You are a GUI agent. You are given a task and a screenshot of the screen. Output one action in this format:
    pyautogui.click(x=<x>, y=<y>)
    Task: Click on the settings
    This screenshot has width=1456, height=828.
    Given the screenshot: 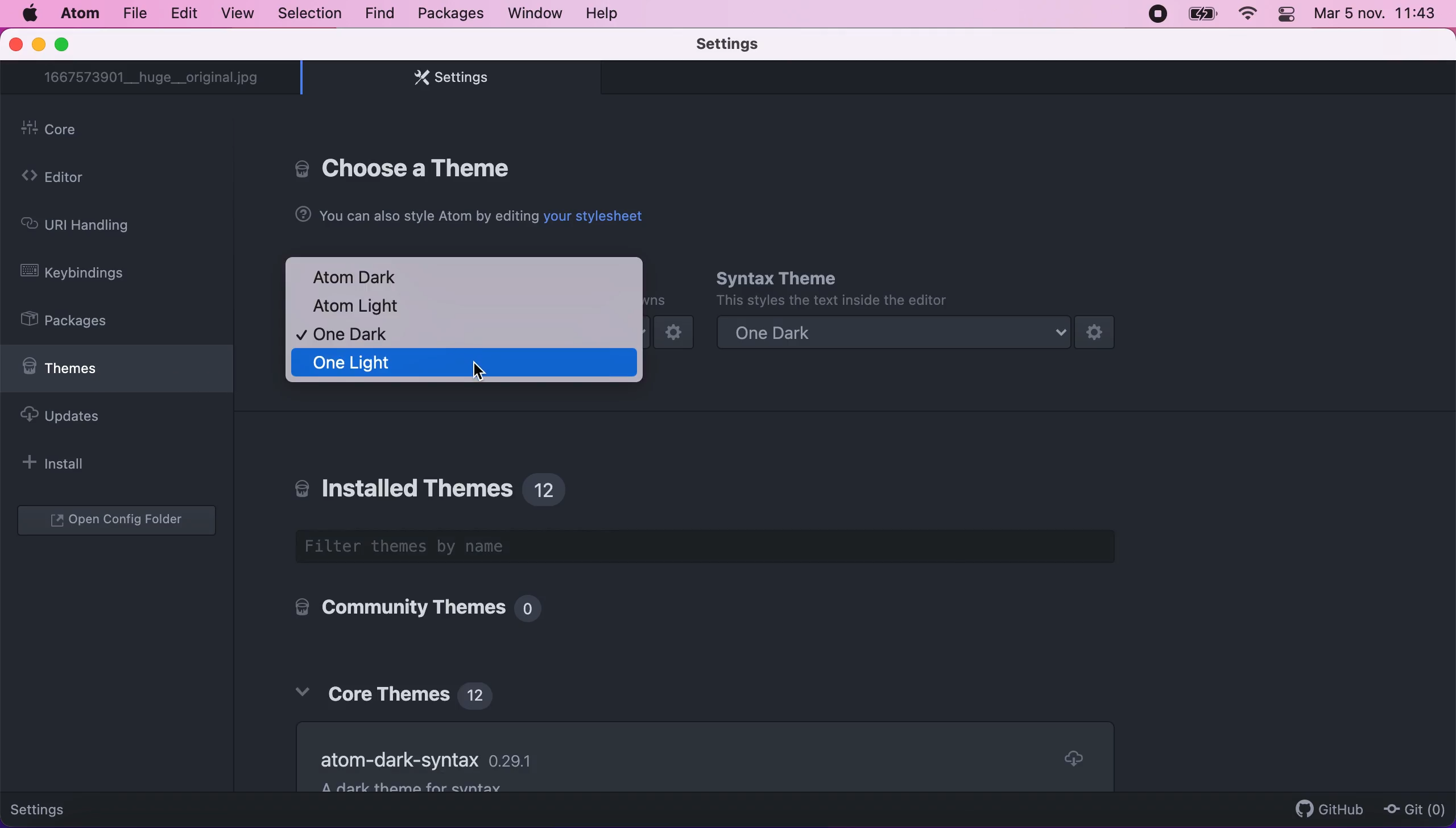 What is the action you would take?
    pyautogui.click(x=61, y=806)
    